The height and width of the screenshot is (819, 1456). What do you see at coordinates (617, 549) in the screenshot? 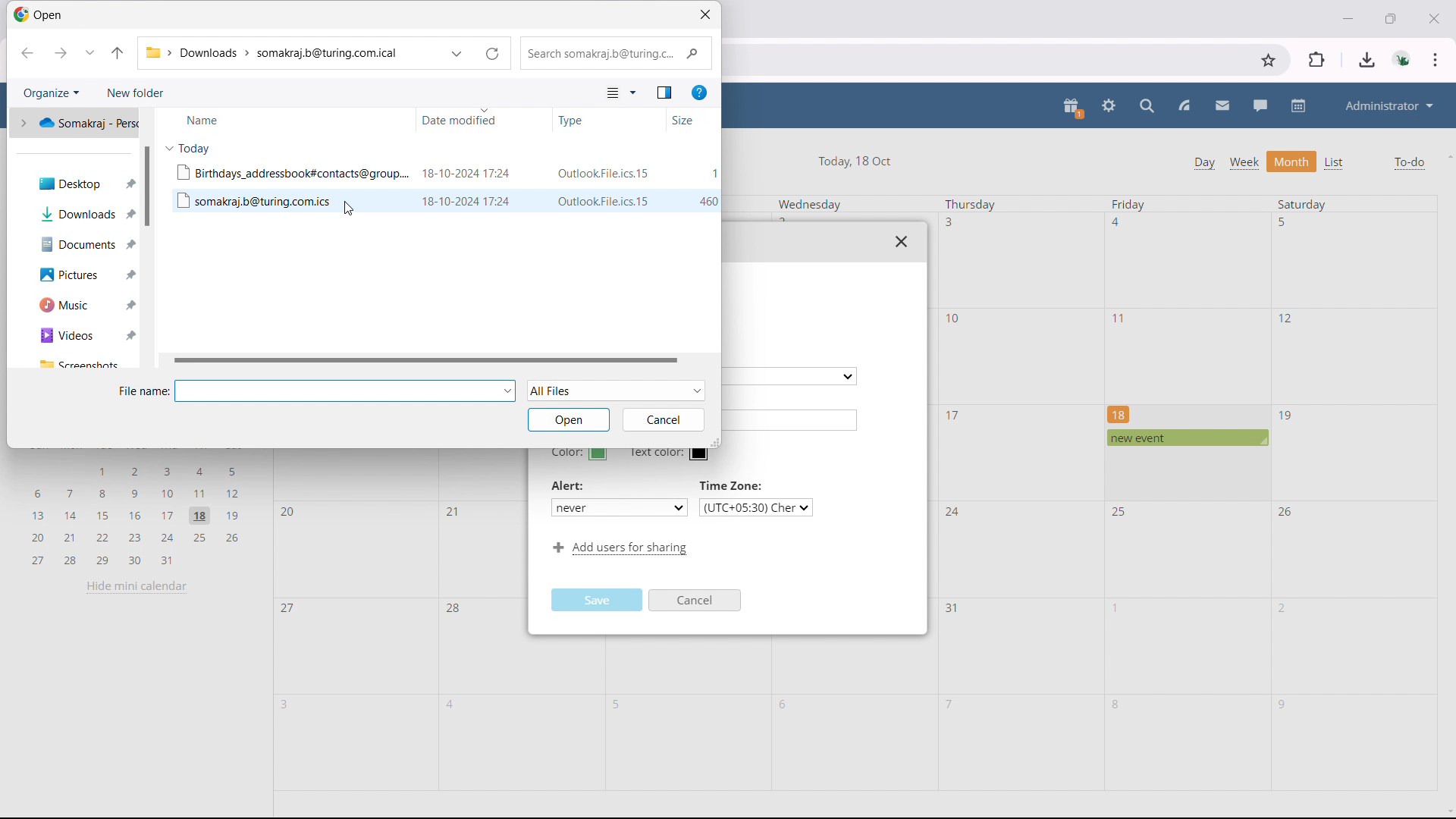
I see `Add users for sharing` at bounding box center [617, 549].